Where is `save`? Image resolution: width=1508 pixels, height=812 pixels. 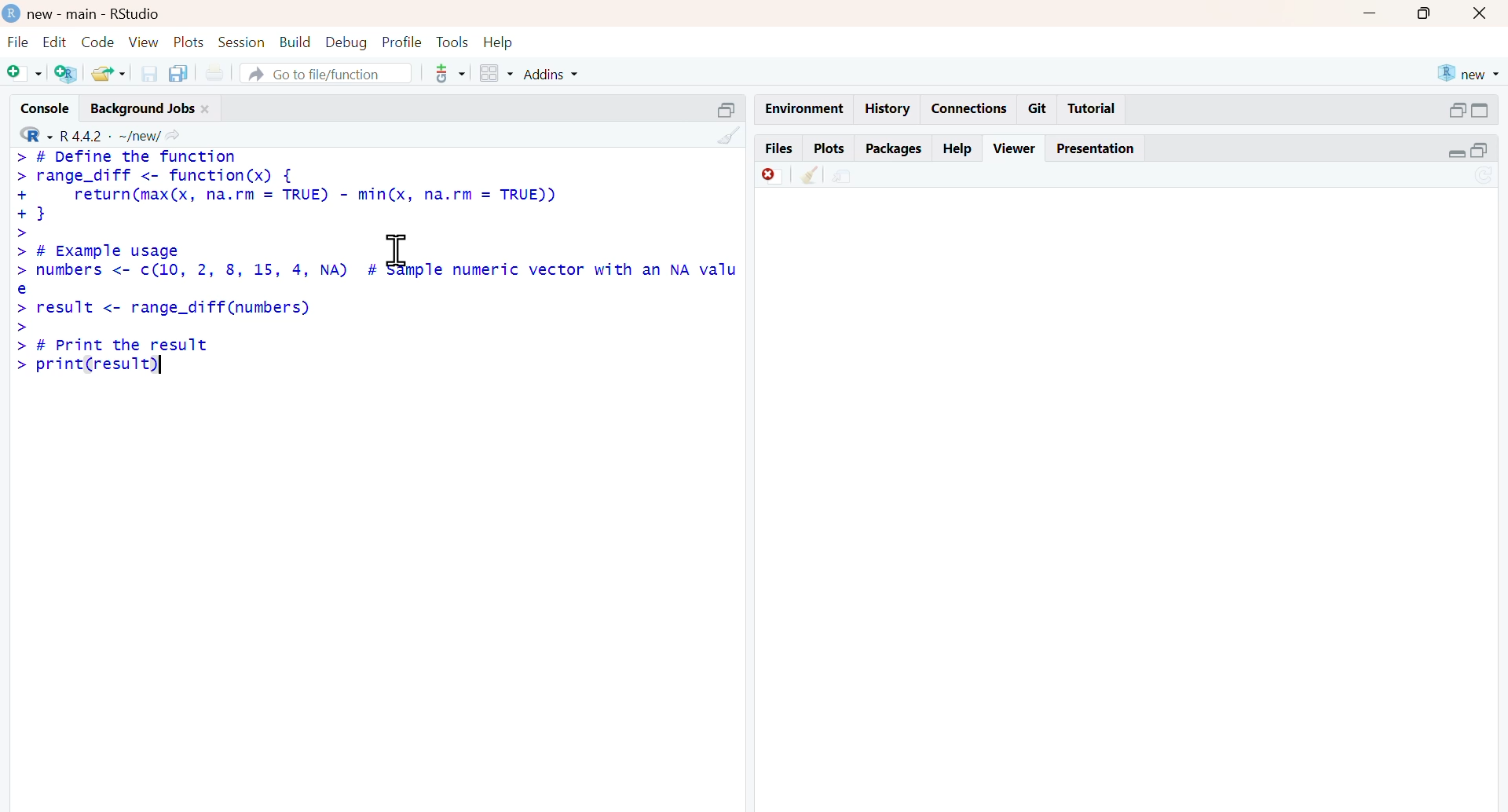
save is located at coordinates (151, 74).